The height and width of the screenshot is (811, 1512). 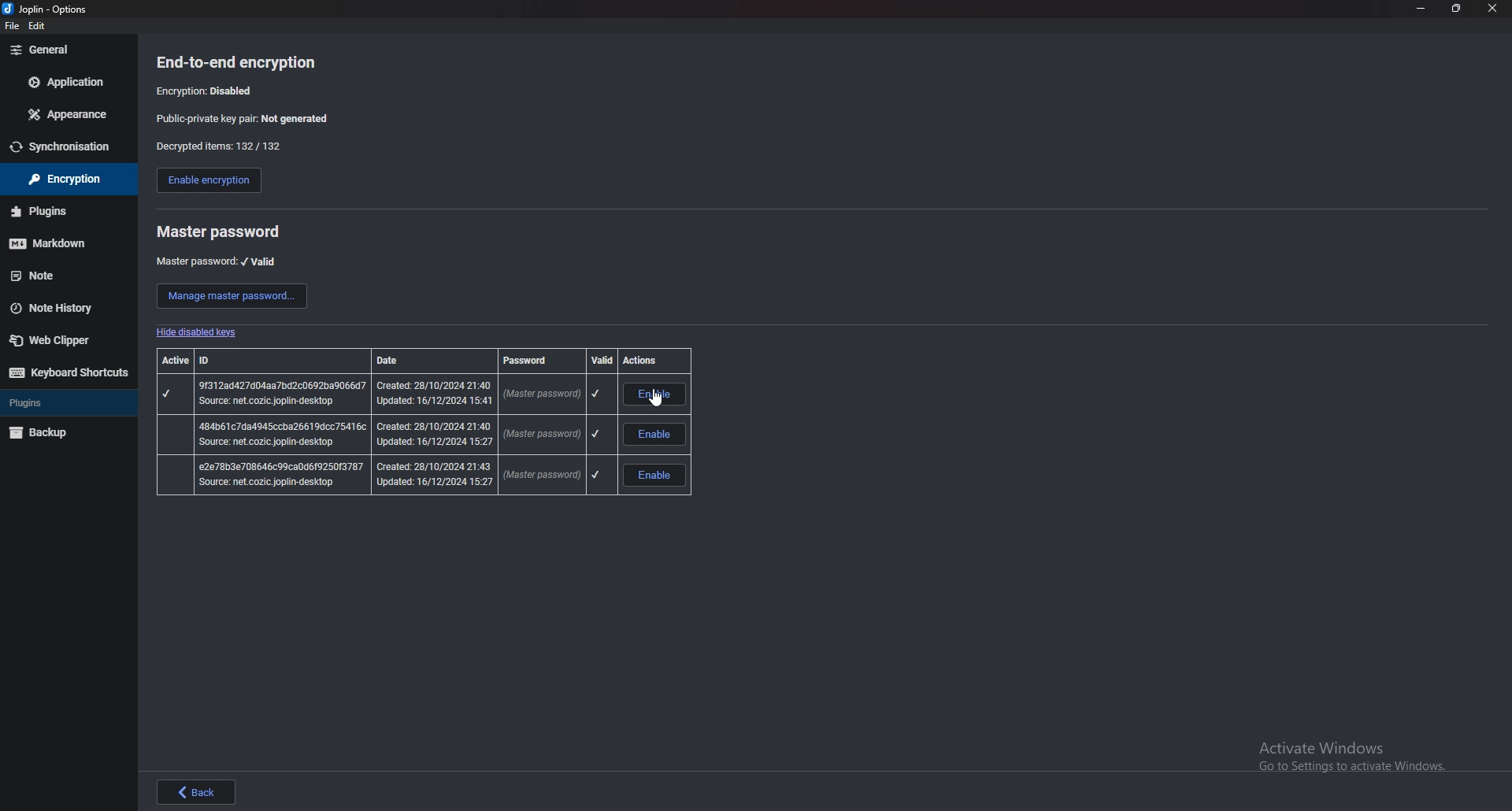 What do you see at coordinates (225, 146) in the screenshot?
I see `decrypted items` at bounding box center [225, 146].